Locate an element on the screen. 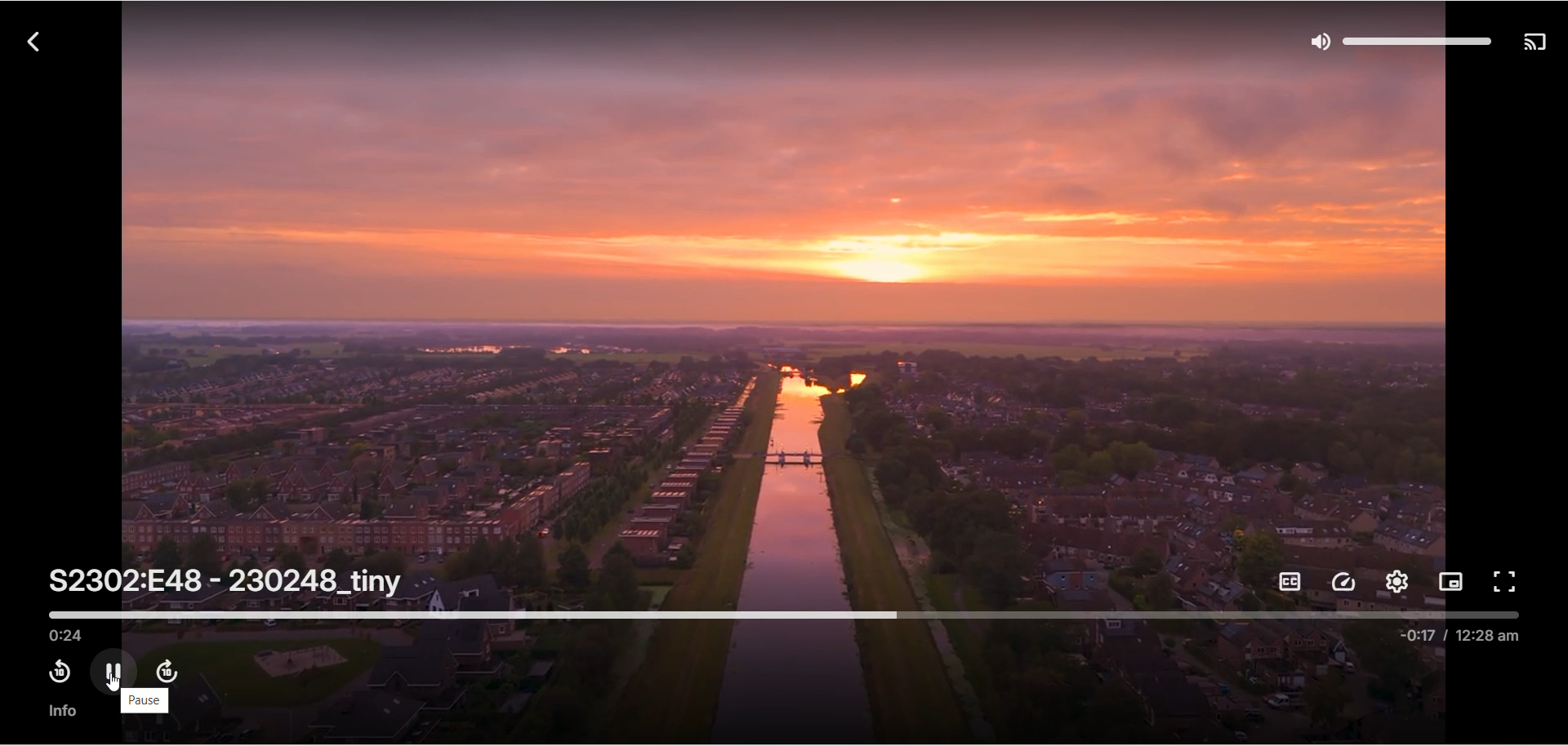 This screenshot has width=1568, height=746. pause is located at coordinates (112, 668).